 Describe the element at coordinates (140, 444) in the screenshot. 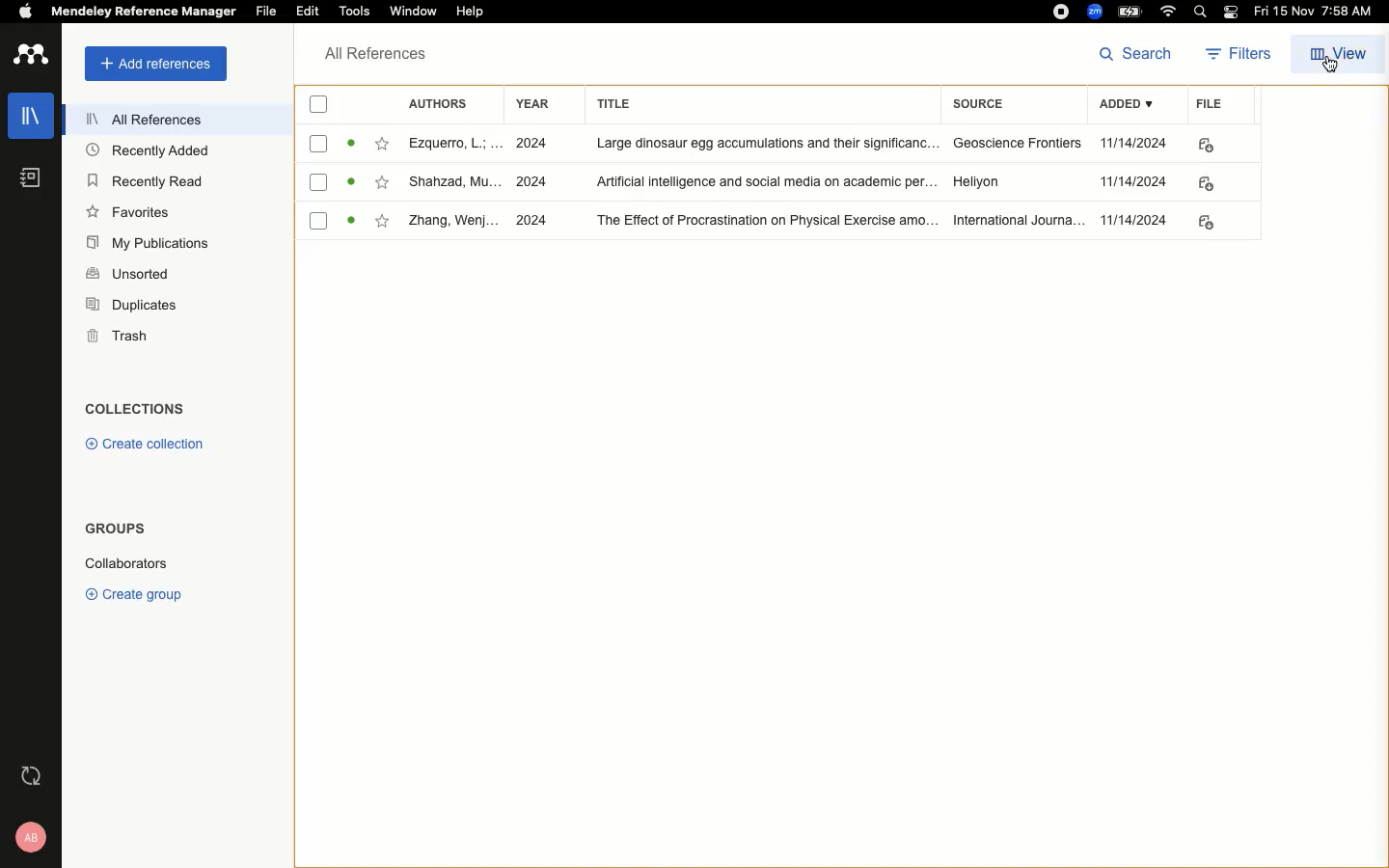

I see `Create collection` at that location.